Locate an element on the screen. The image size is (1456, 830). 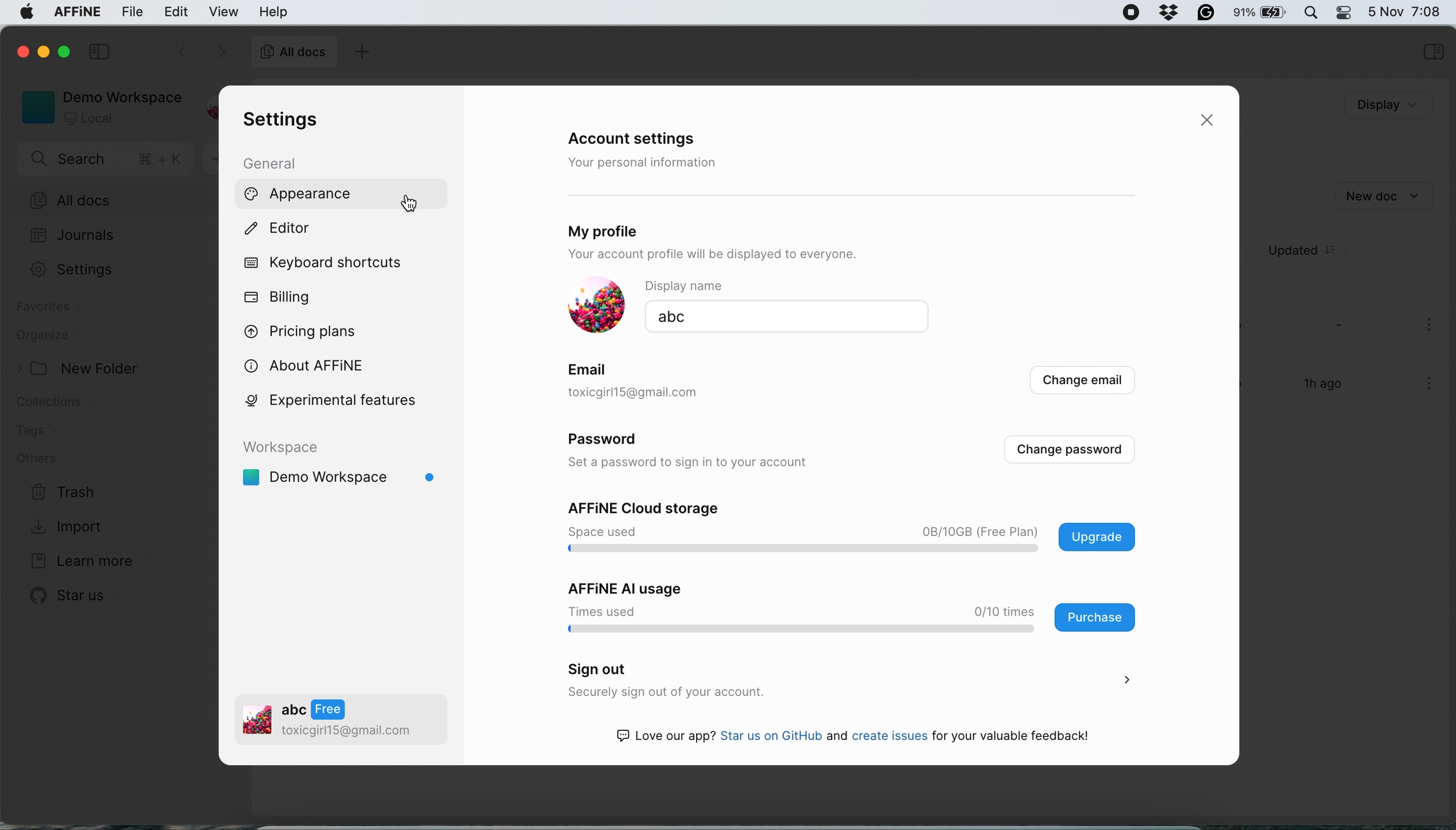
TImes used is located at coordinates (600, 611).